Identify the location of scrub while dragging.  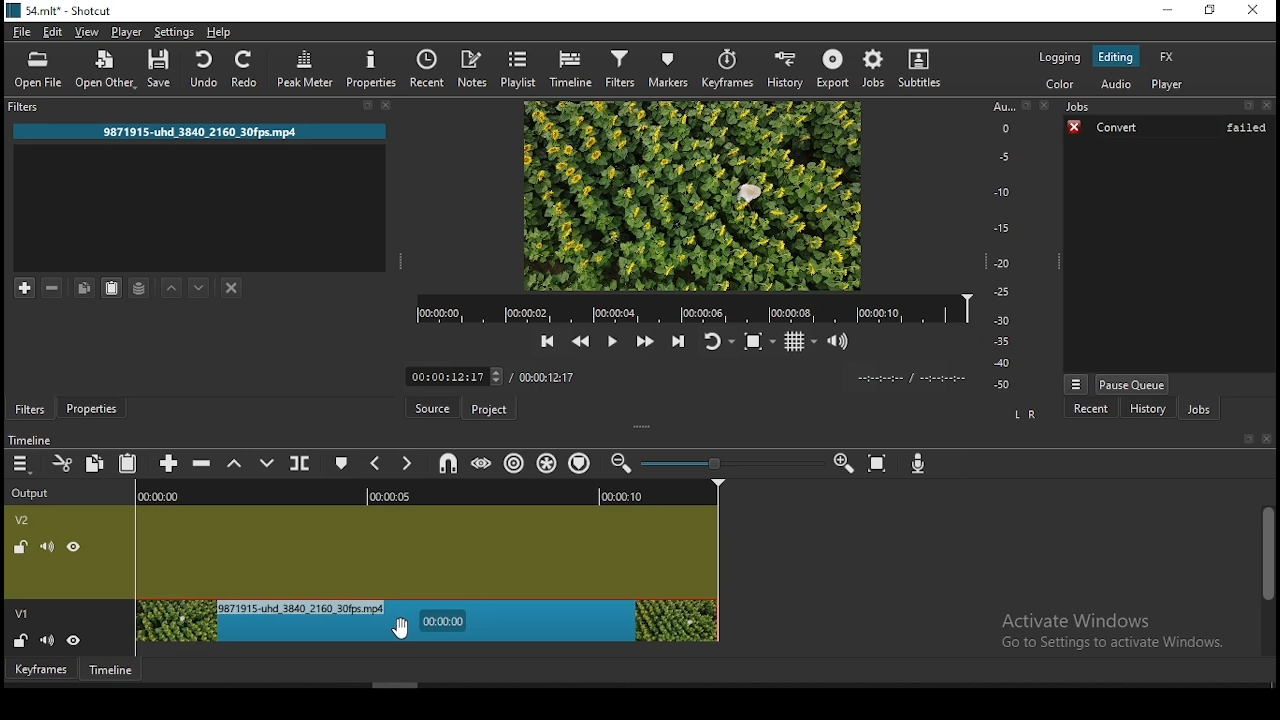
(483, 463).